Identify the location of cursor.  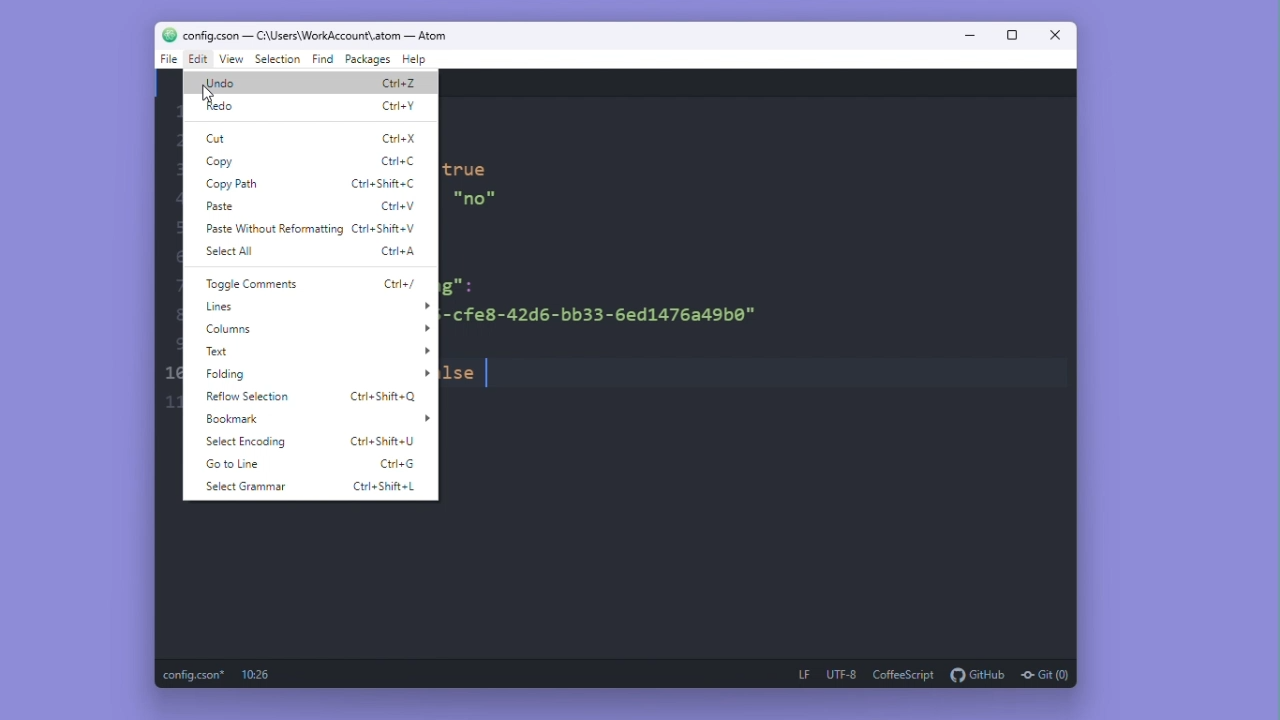
(201, 93).